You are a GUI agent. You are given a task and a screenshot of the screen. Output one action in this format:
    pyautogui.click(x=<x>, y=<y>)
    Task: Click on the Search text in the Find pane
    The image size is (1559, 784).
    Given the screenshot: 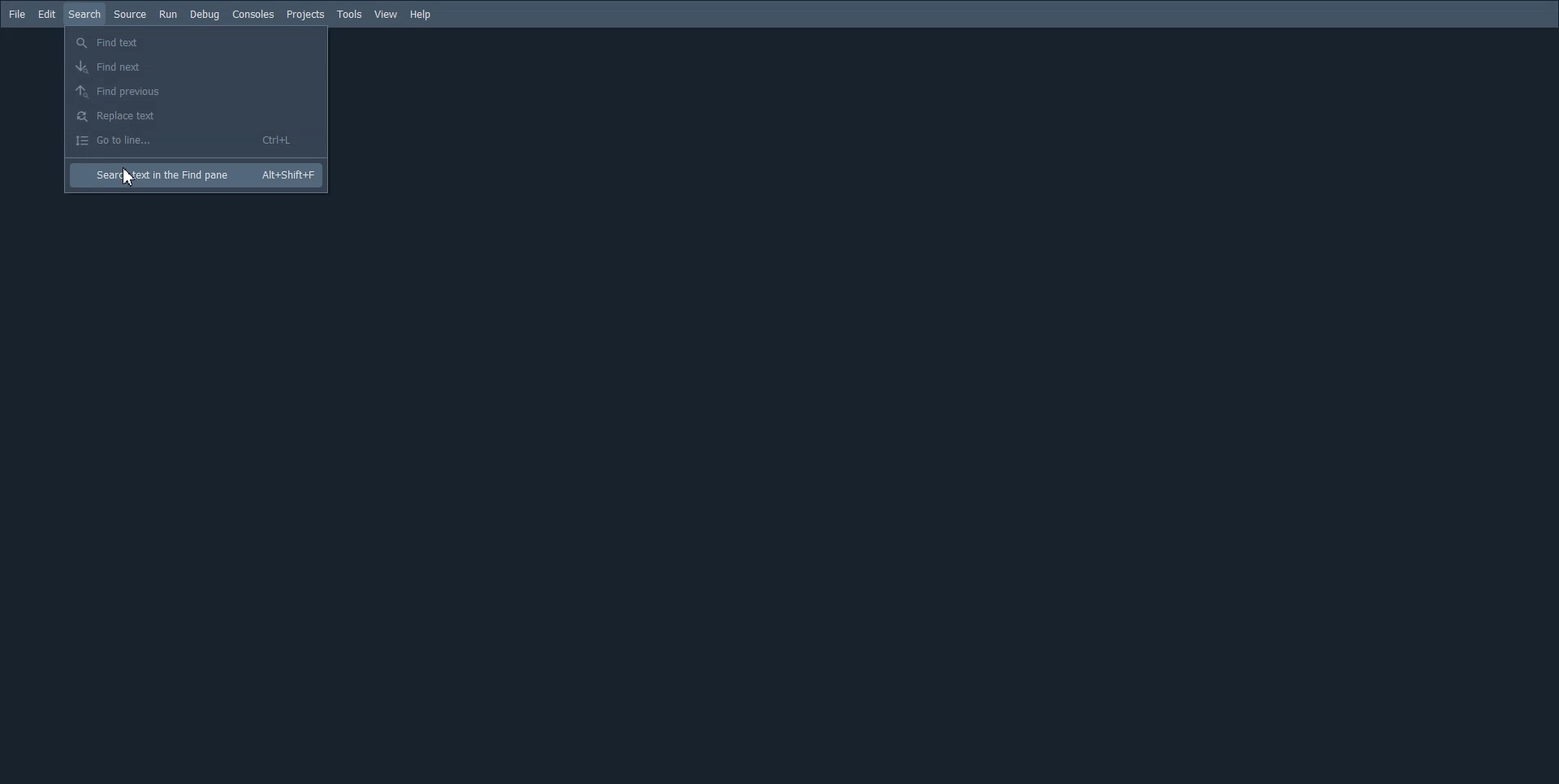 What is the action you would take?
    pyautogui.click(x=196, y=175)
    